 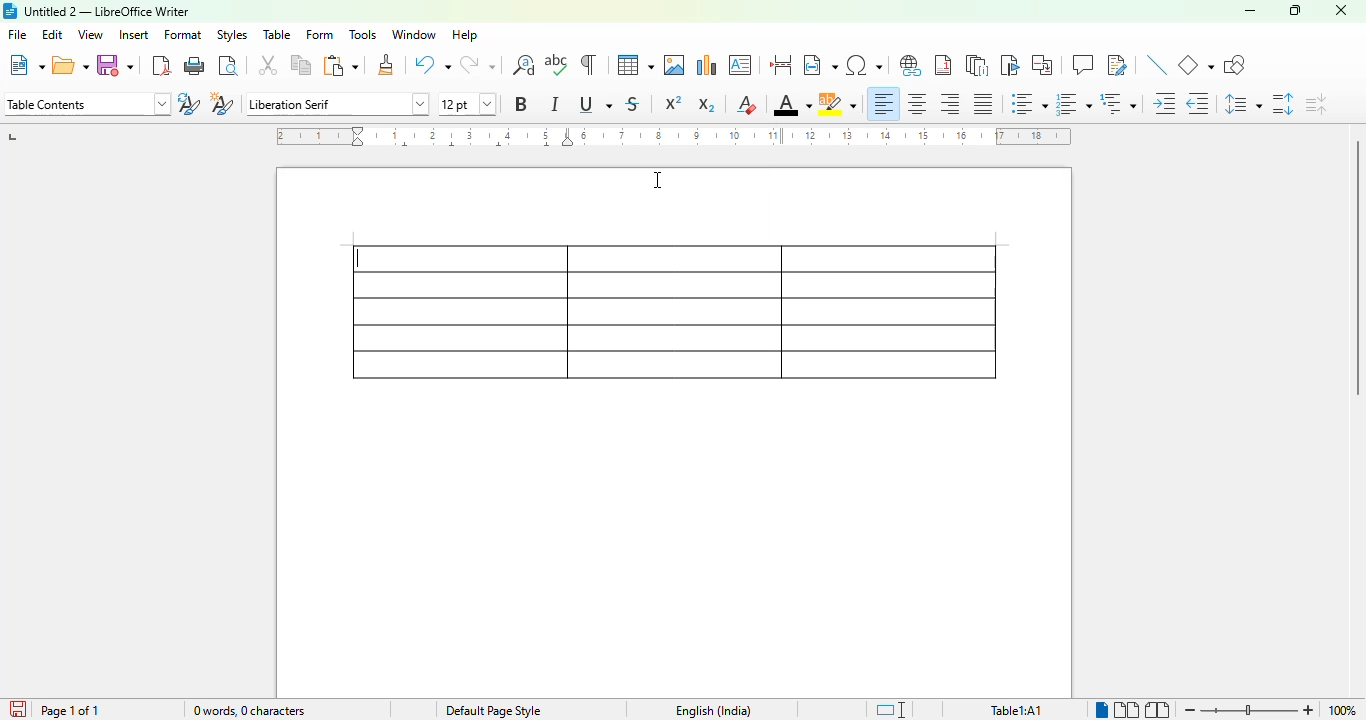 What do you see at coordinates (522, 104) in the screenshot?
I see `bold` at bounding box center [522, 104].